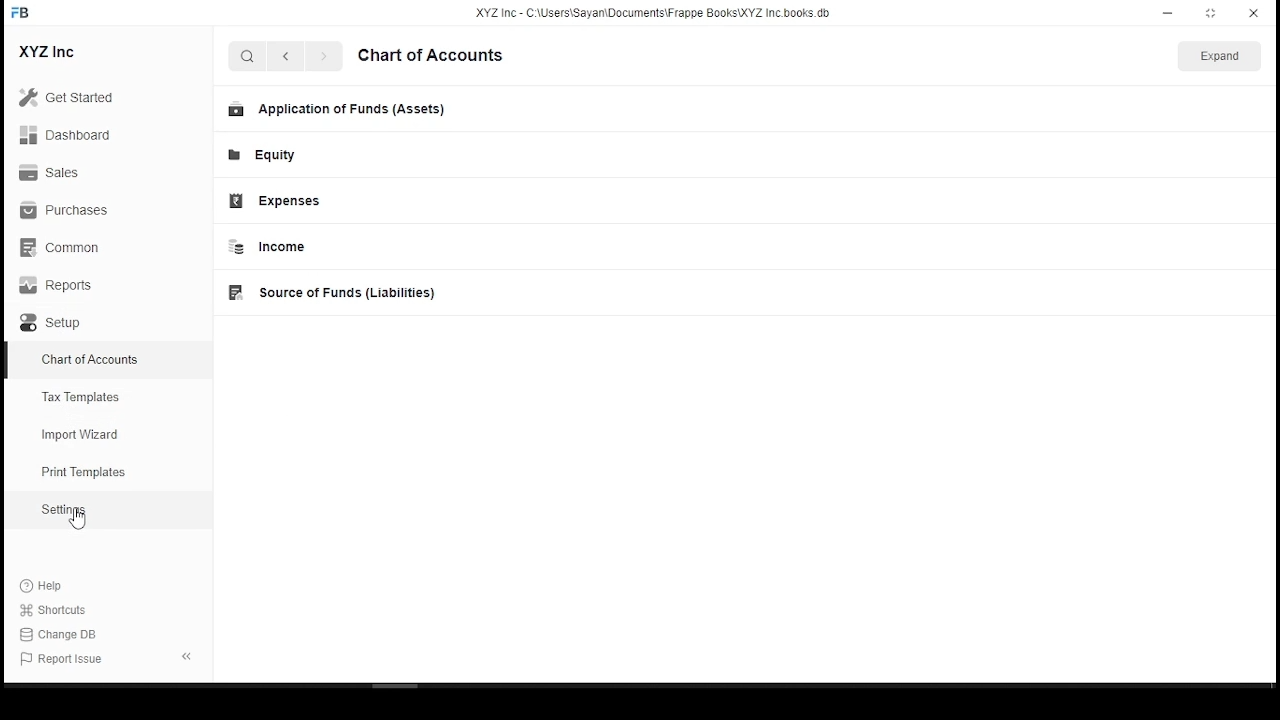  What do you see at coordinates (79, 472) in the screenshot?
I see `print templates` at bounding box center [79, 472].